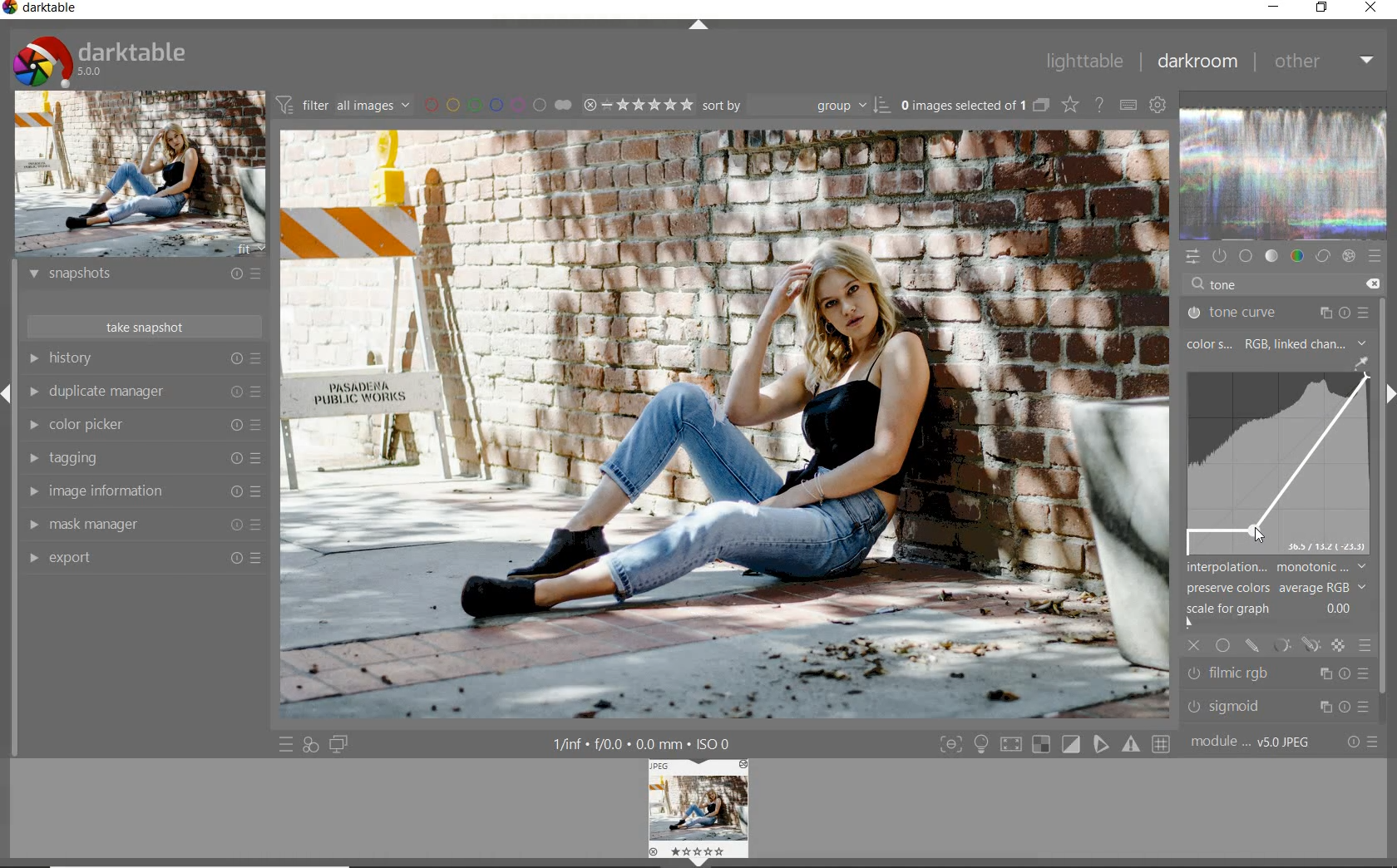 The width and height of the screenshot is (1397, 868). I want to click on quick access for applying any of your styles, so click(311, 745).